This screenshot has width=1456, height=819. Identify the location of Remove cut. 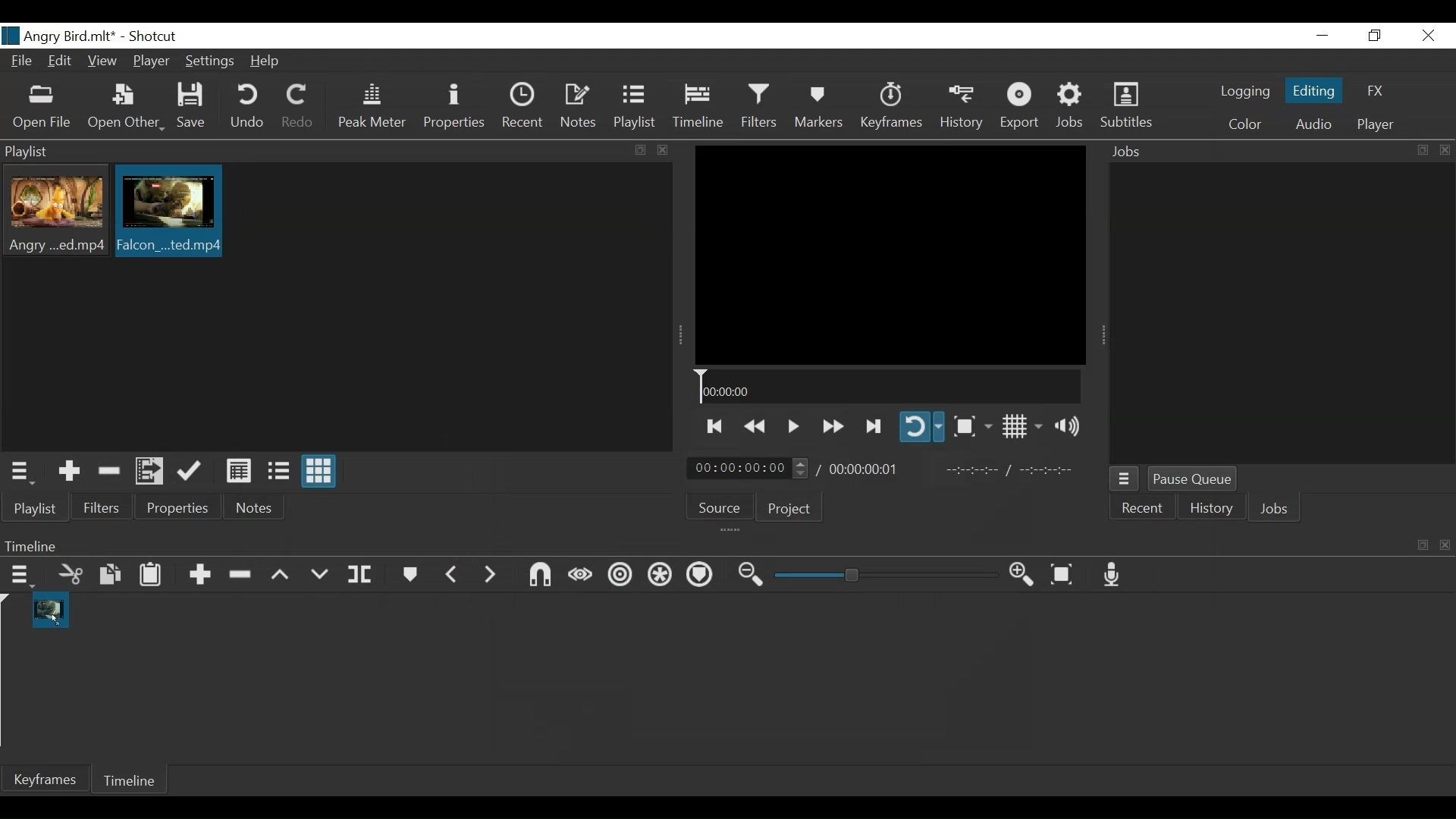
(242, 576).